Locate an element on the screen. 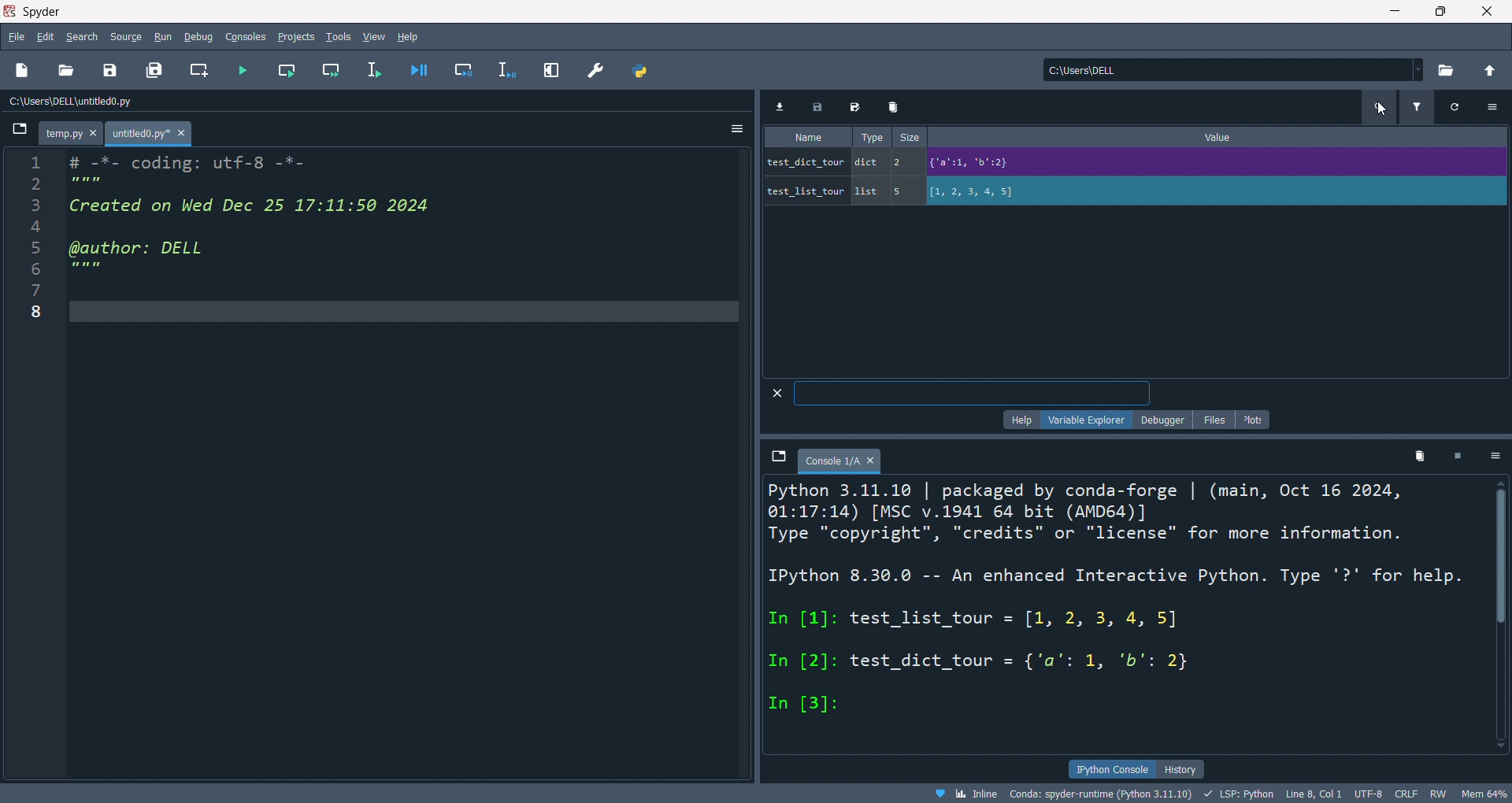 The height and width of the screenshot is (803, 1512). debugger is located at coordinates (1160, 420).